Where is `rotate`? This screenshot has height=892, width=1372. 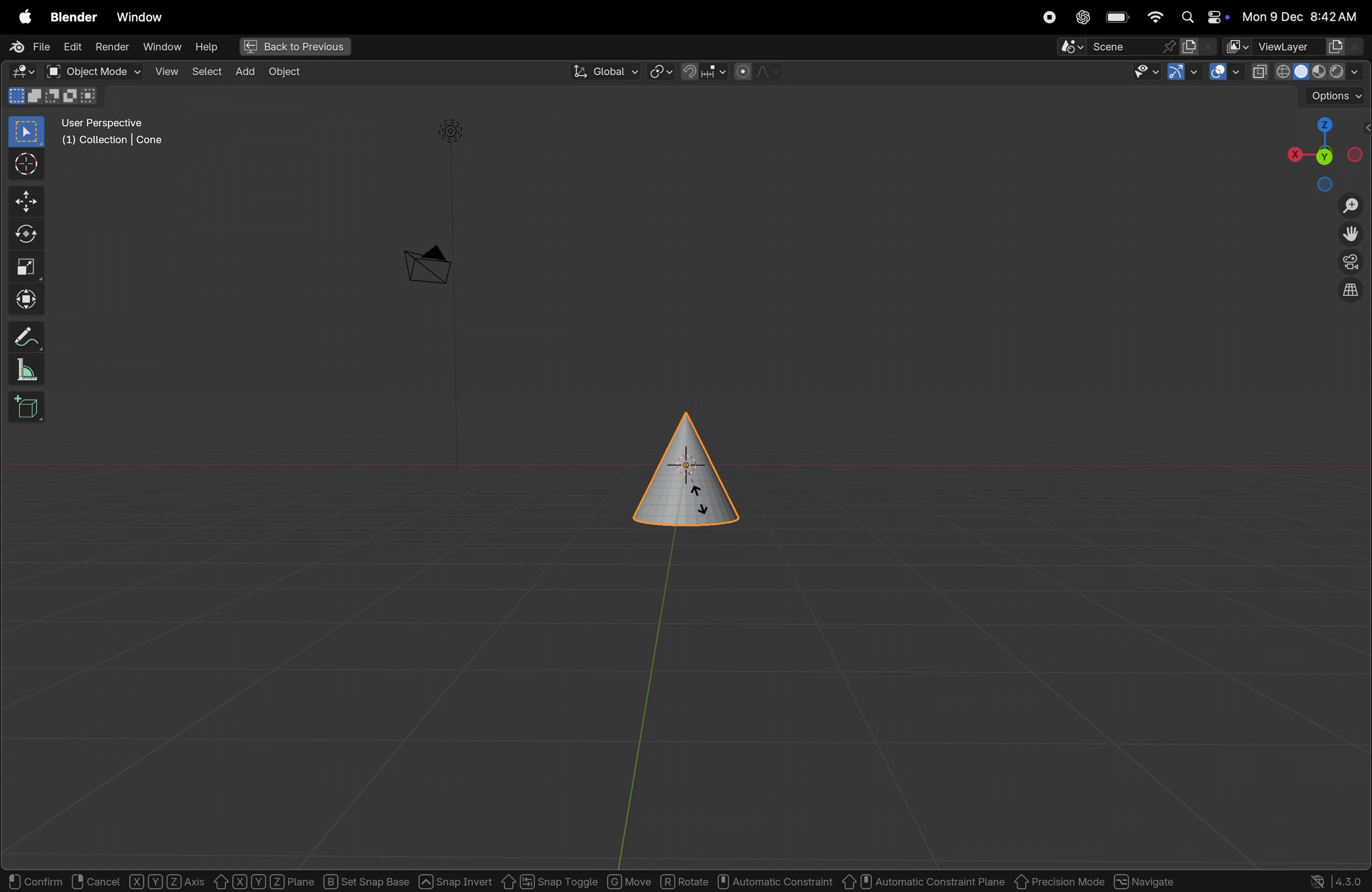
rotate is located at coordinates (24, 235).